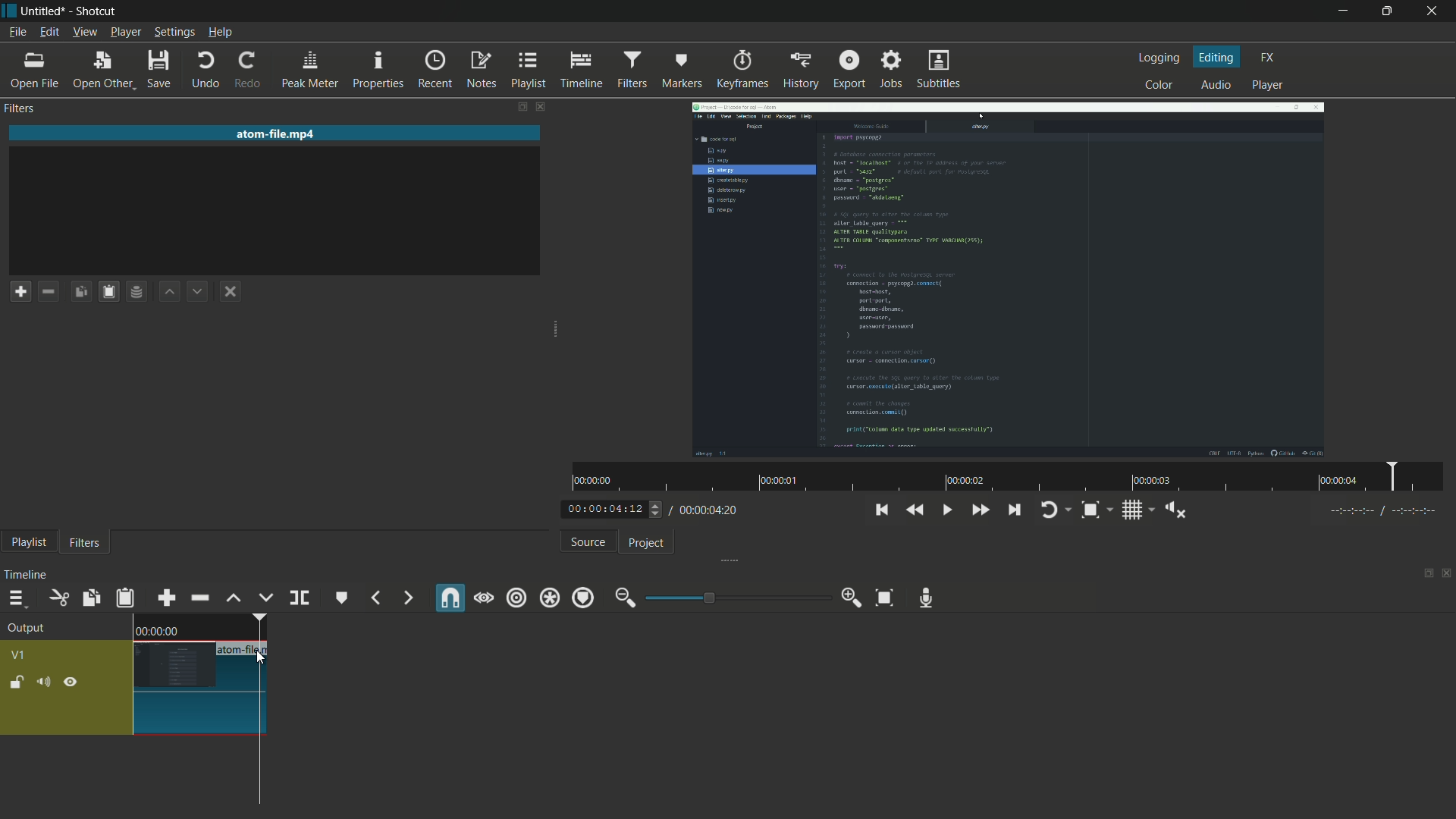  Describe the element at coordinates (544, 108) in the screenshot. I see `close filter` at that location.